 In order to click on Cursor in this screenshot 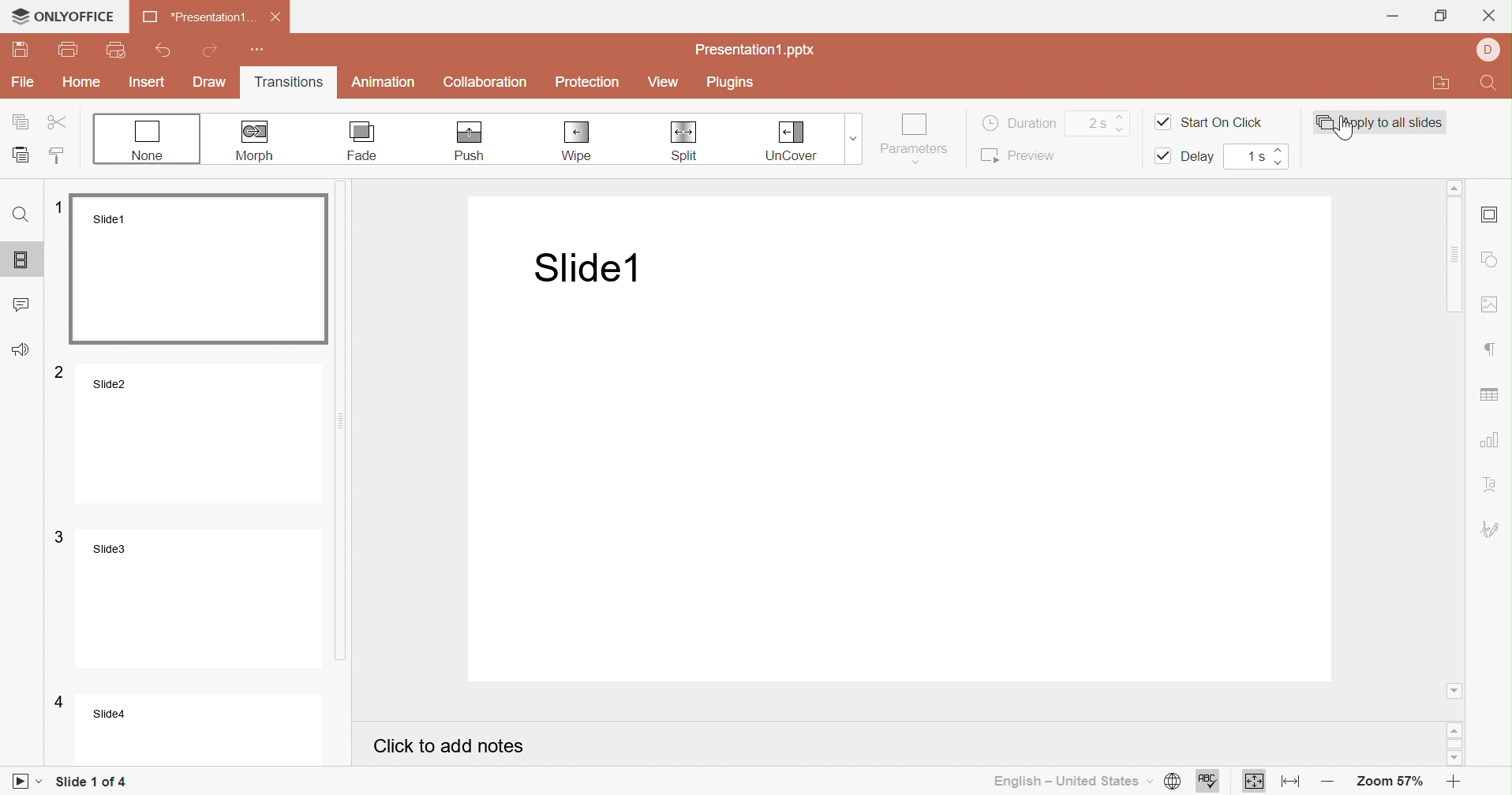, I will do `click(1339, 123)`.